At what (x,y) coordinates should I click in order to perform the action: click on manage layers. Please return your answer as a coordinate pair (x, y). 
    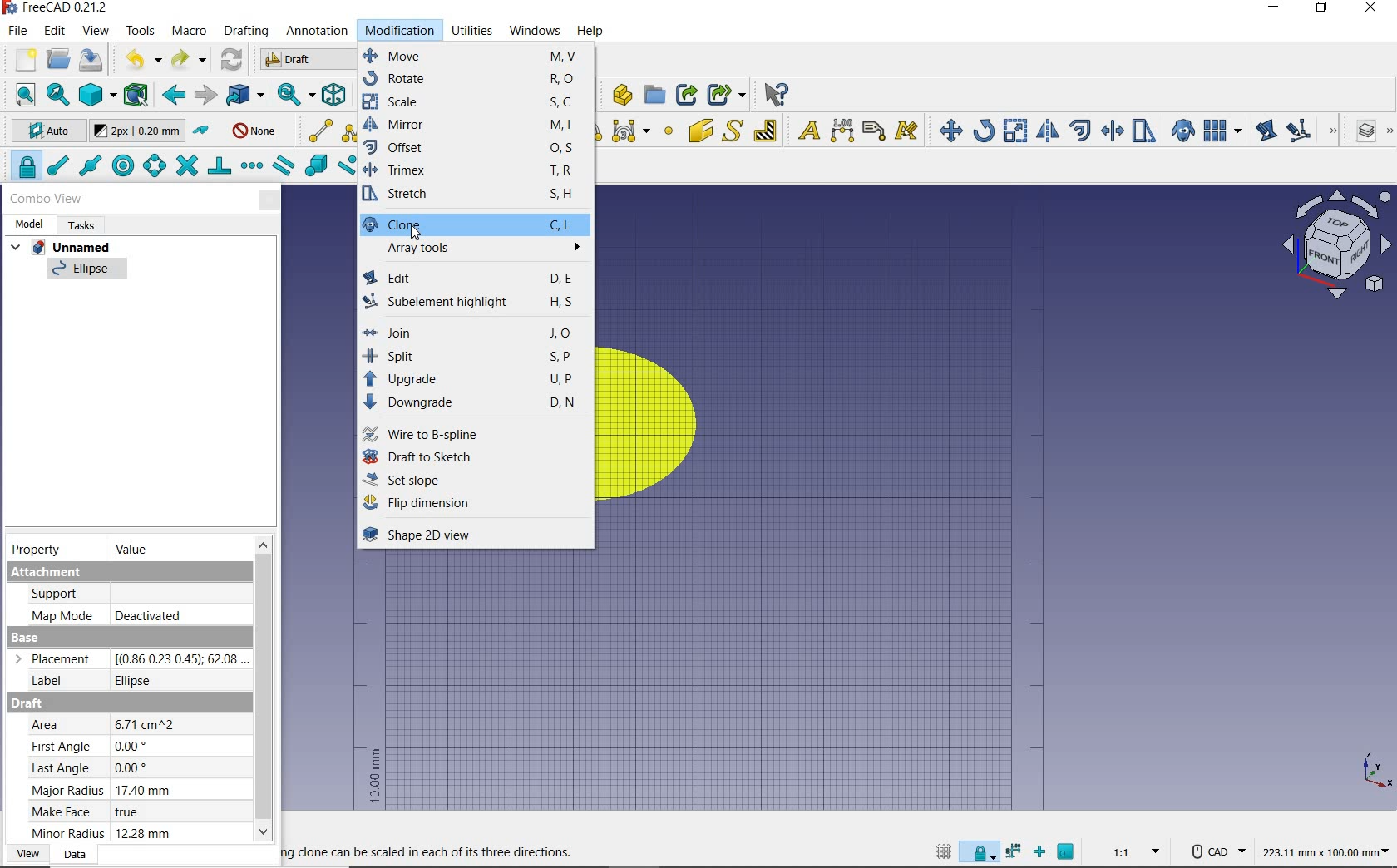
    Looking at the image, I should click on (1359, 133).